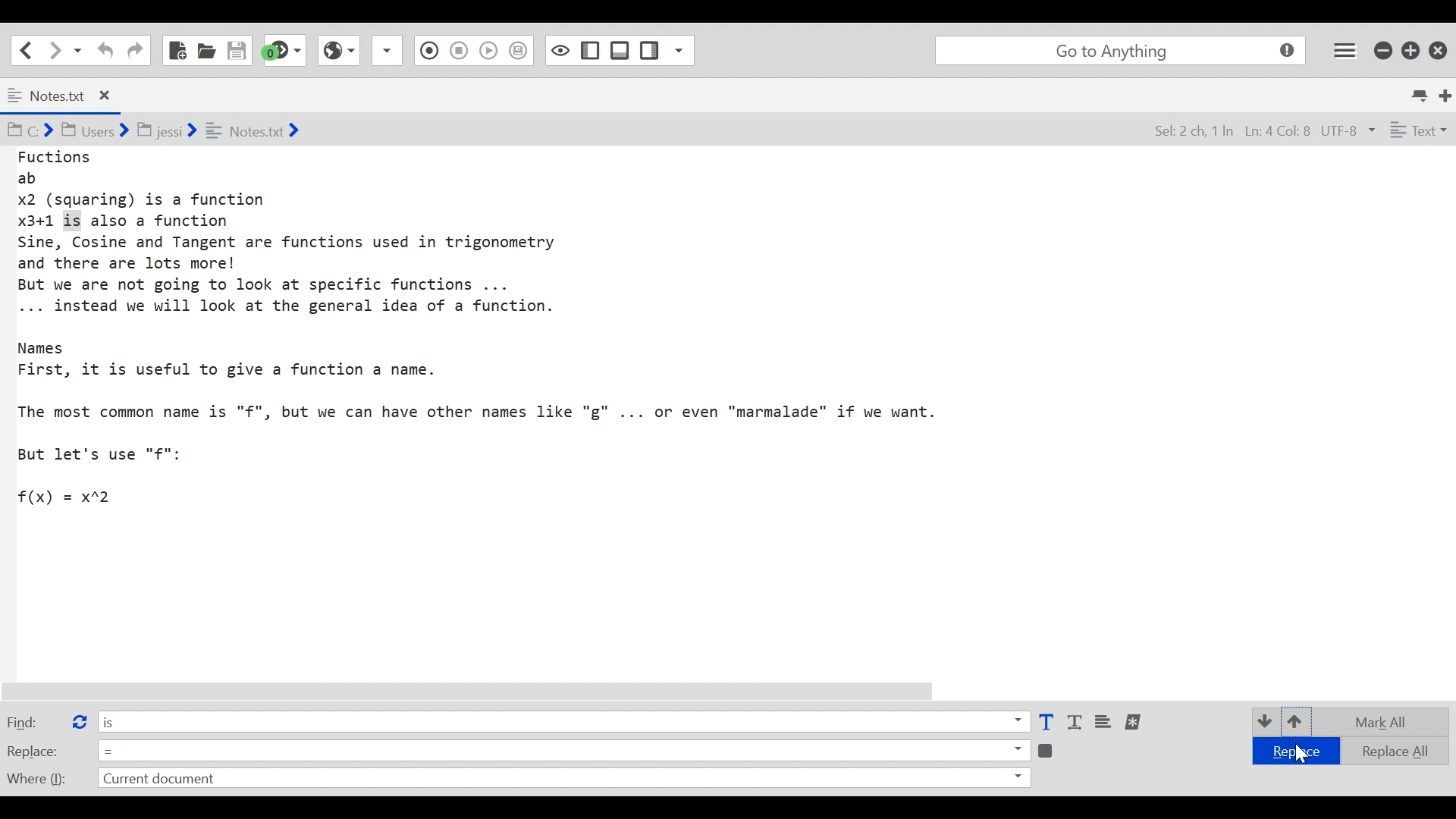 The height and width of the screenshot is (819, 1456). I want to click on Recent locations, so click(78, 49).